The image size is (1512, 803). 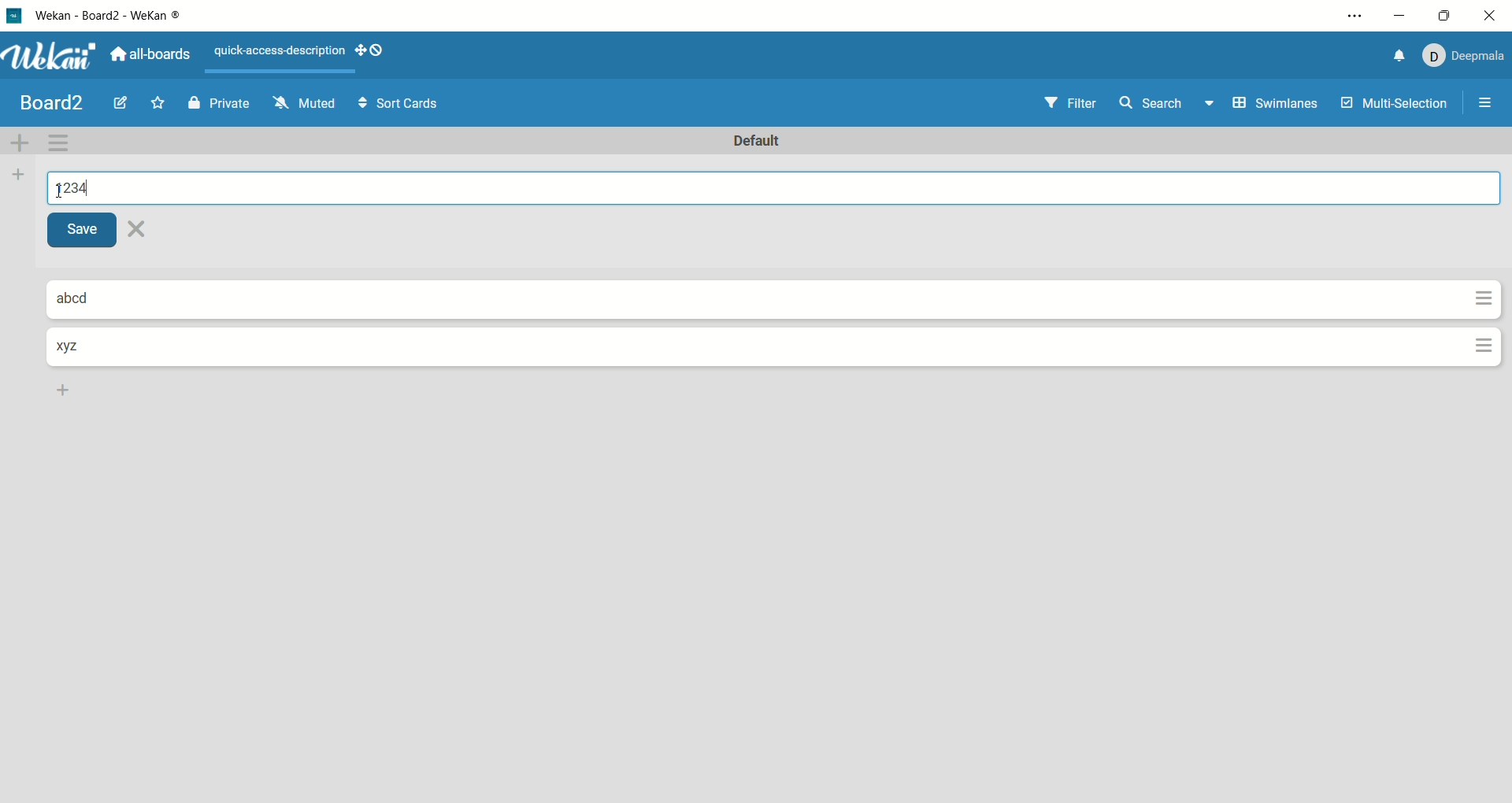 I want to click on settings and more, so click(x=1354, y=18).